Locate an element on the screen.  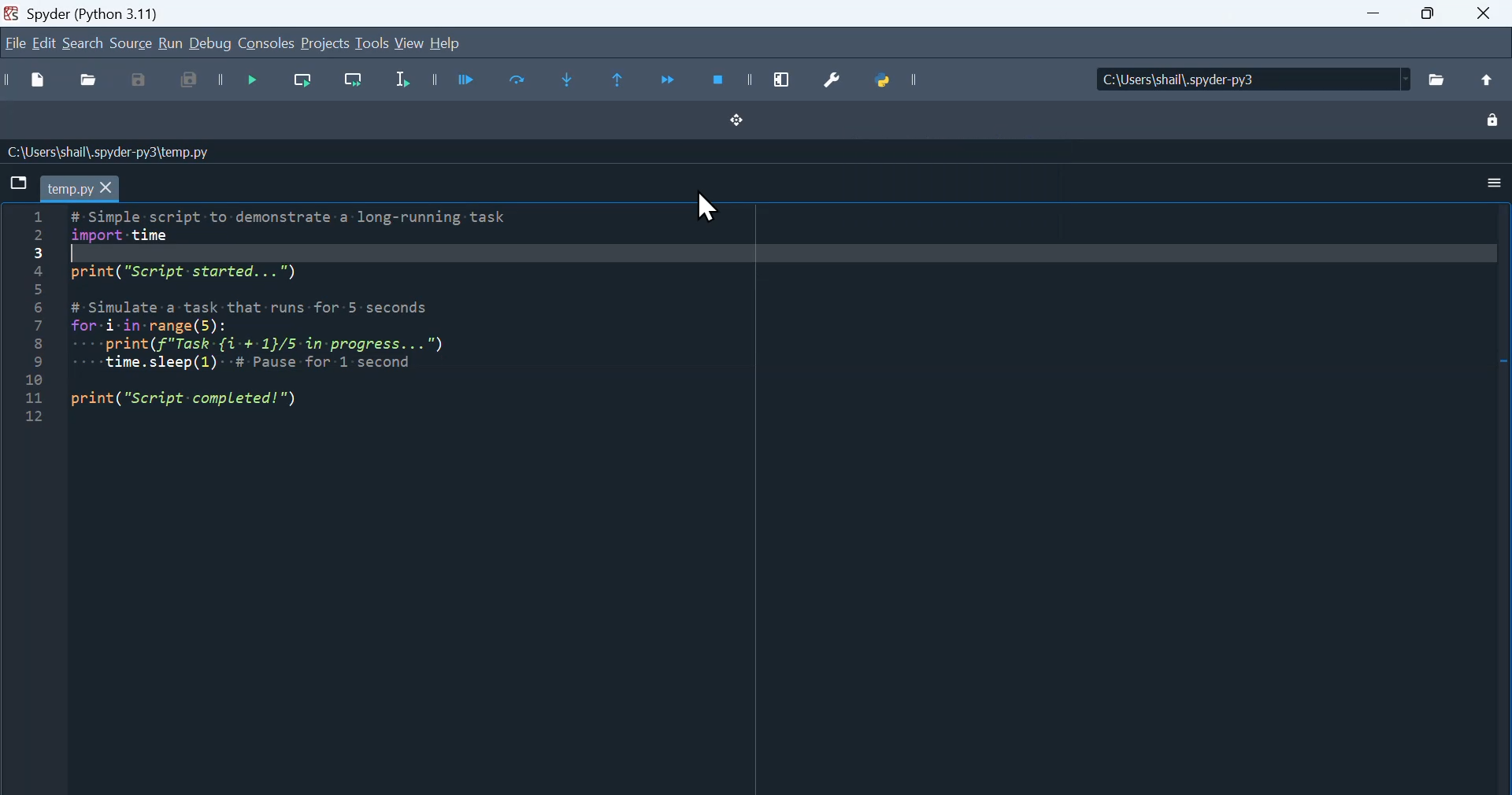
Edit is located at coordinates (49, 42).